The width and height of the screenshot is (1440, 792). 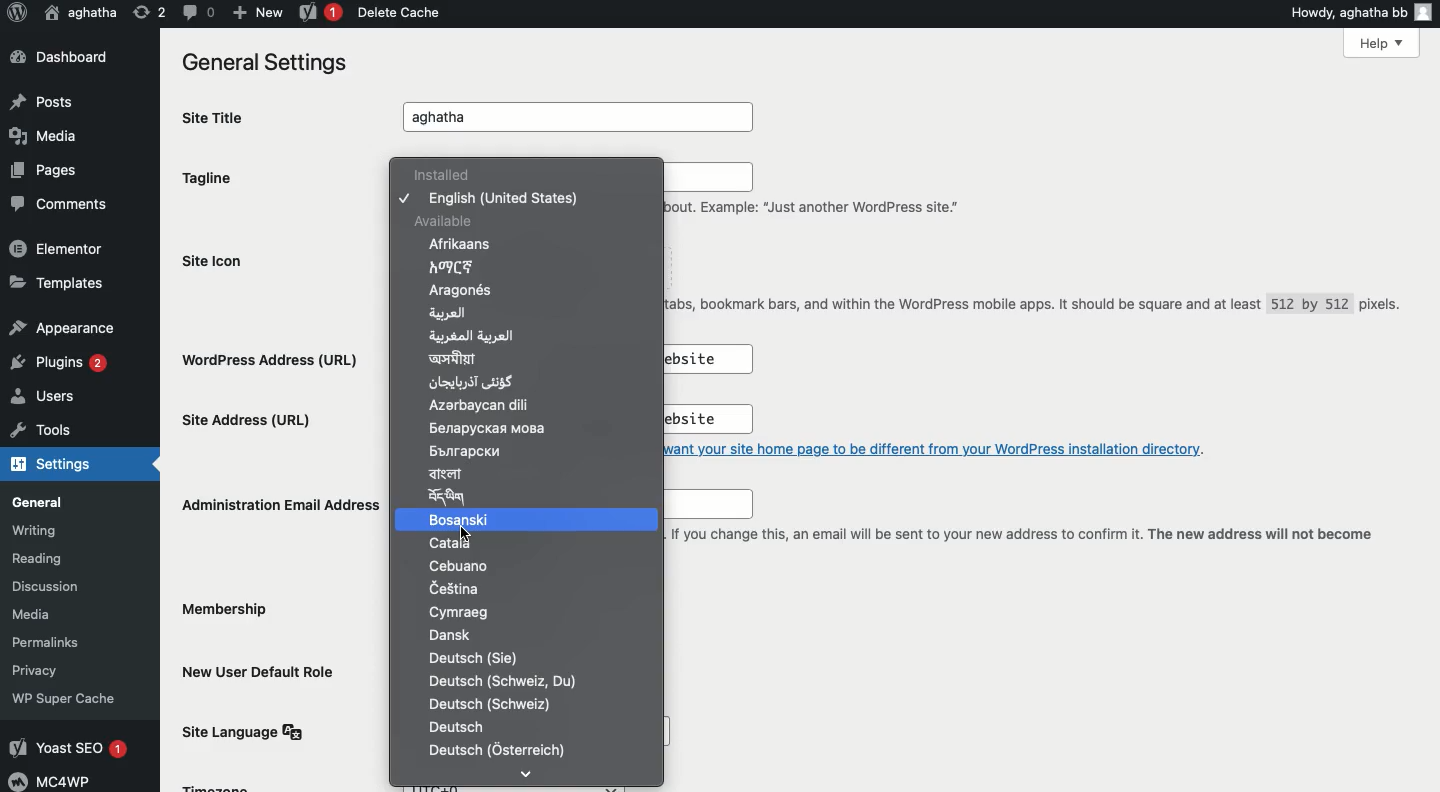 What do you see at coordinates (44, 669) in the screenshot?
I see `Privacy` at bounding box center [44, 669].